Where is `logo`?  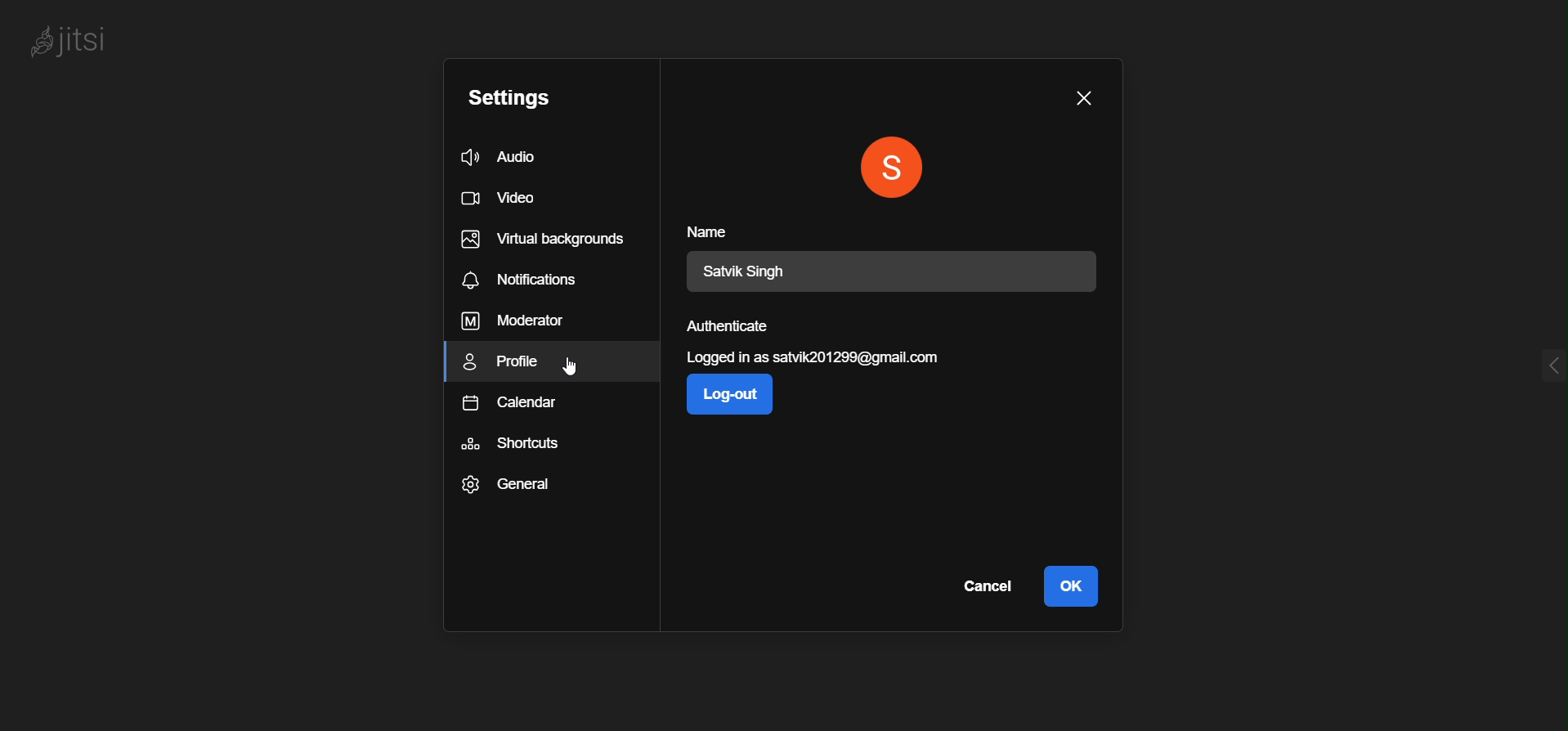 logo is located at coordinates (86, 41).